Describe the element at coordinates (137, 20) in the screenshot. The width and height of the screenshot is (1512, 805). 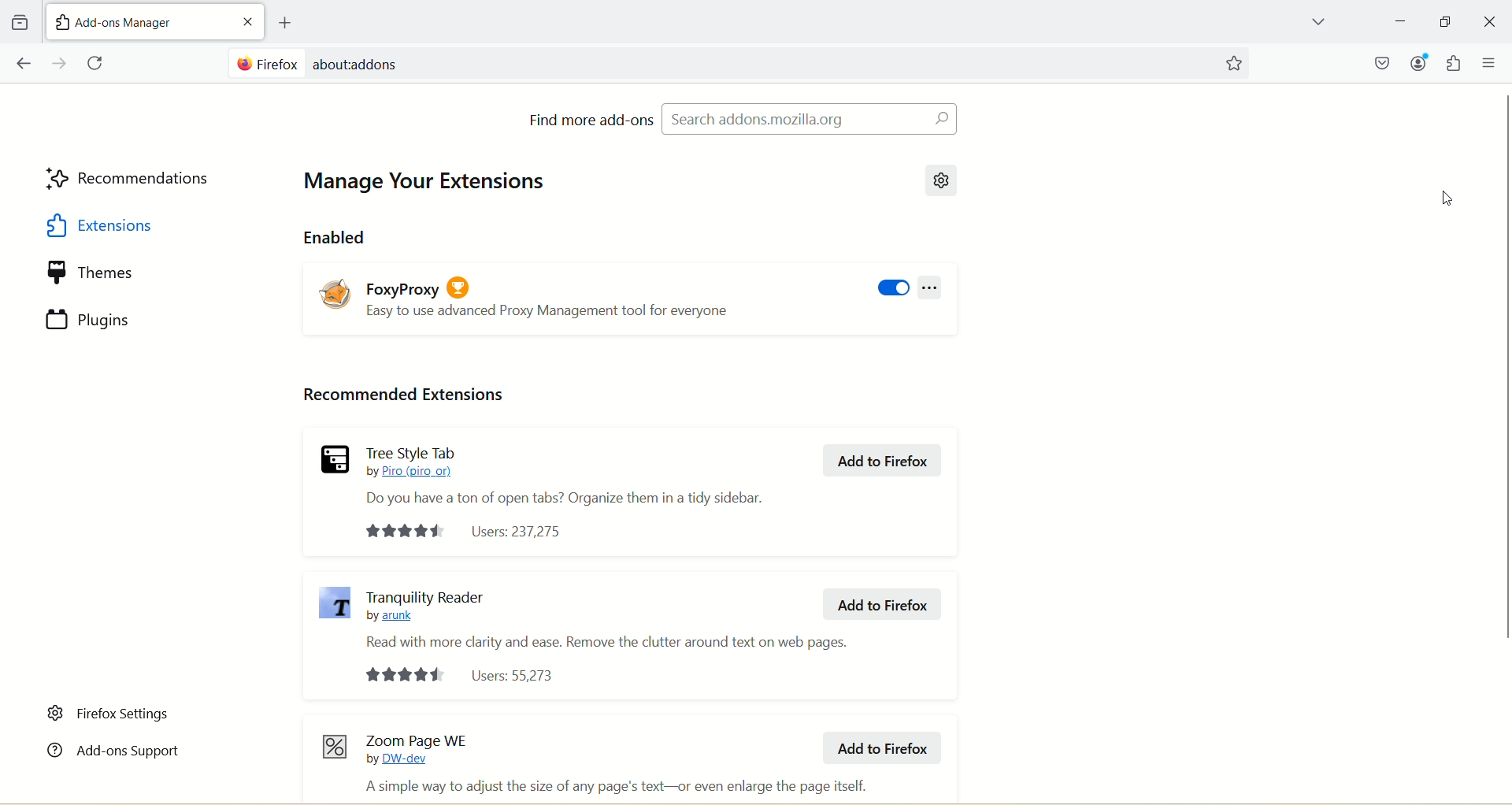
I see `New Tab` at that location.